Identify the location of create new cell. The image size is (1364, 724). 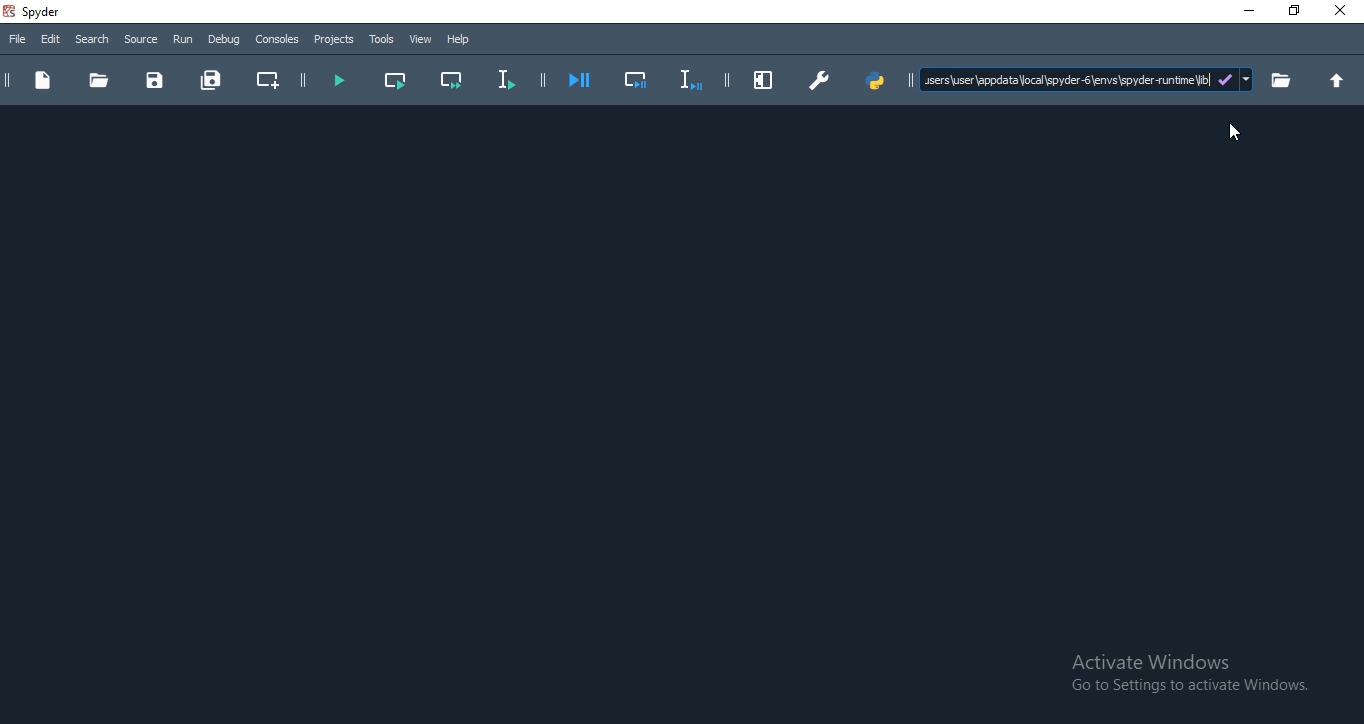
(267, 79).